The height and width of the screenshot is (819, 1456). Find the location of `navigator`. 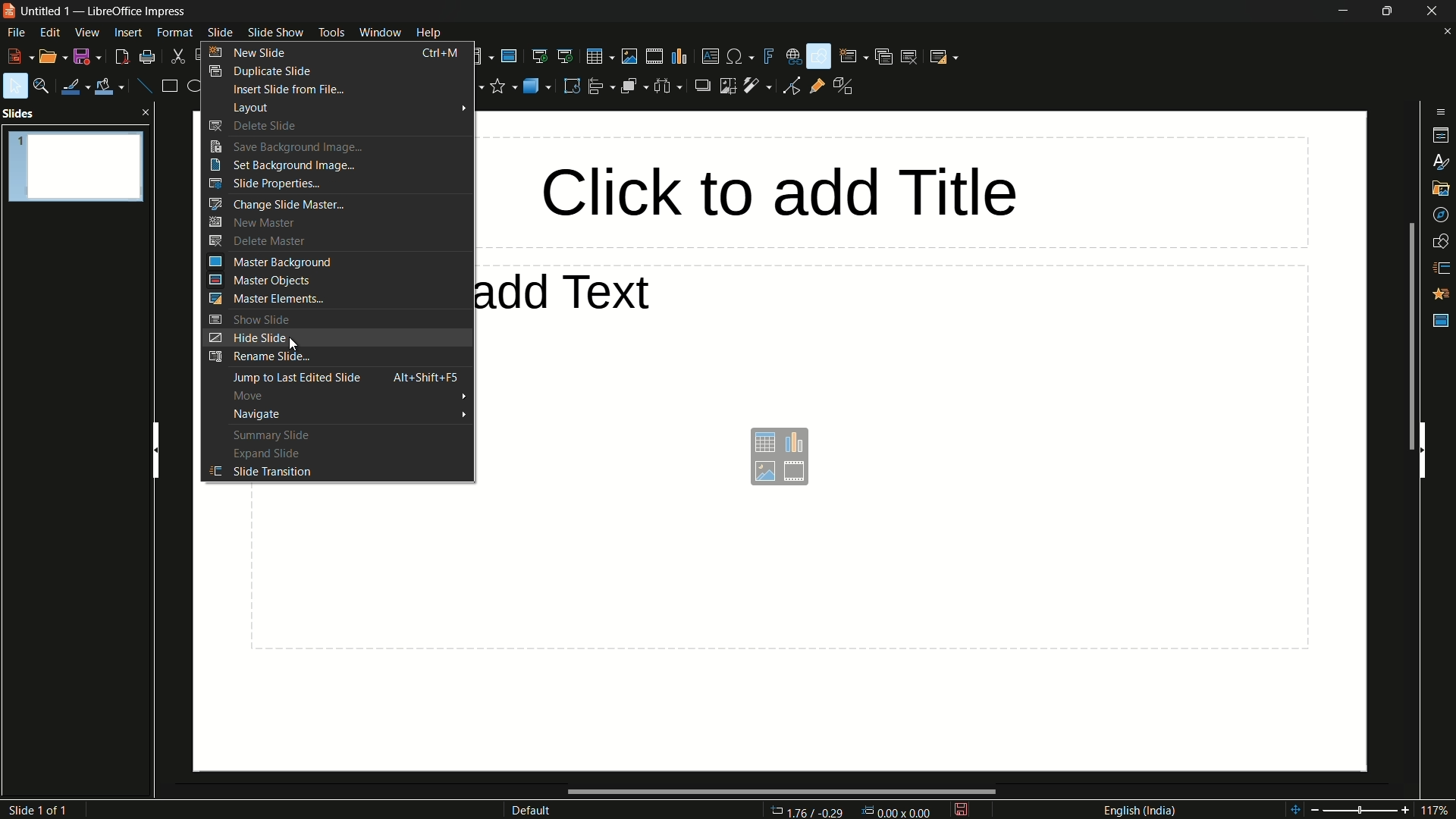

navigator is located at coordinates (1439, 213).